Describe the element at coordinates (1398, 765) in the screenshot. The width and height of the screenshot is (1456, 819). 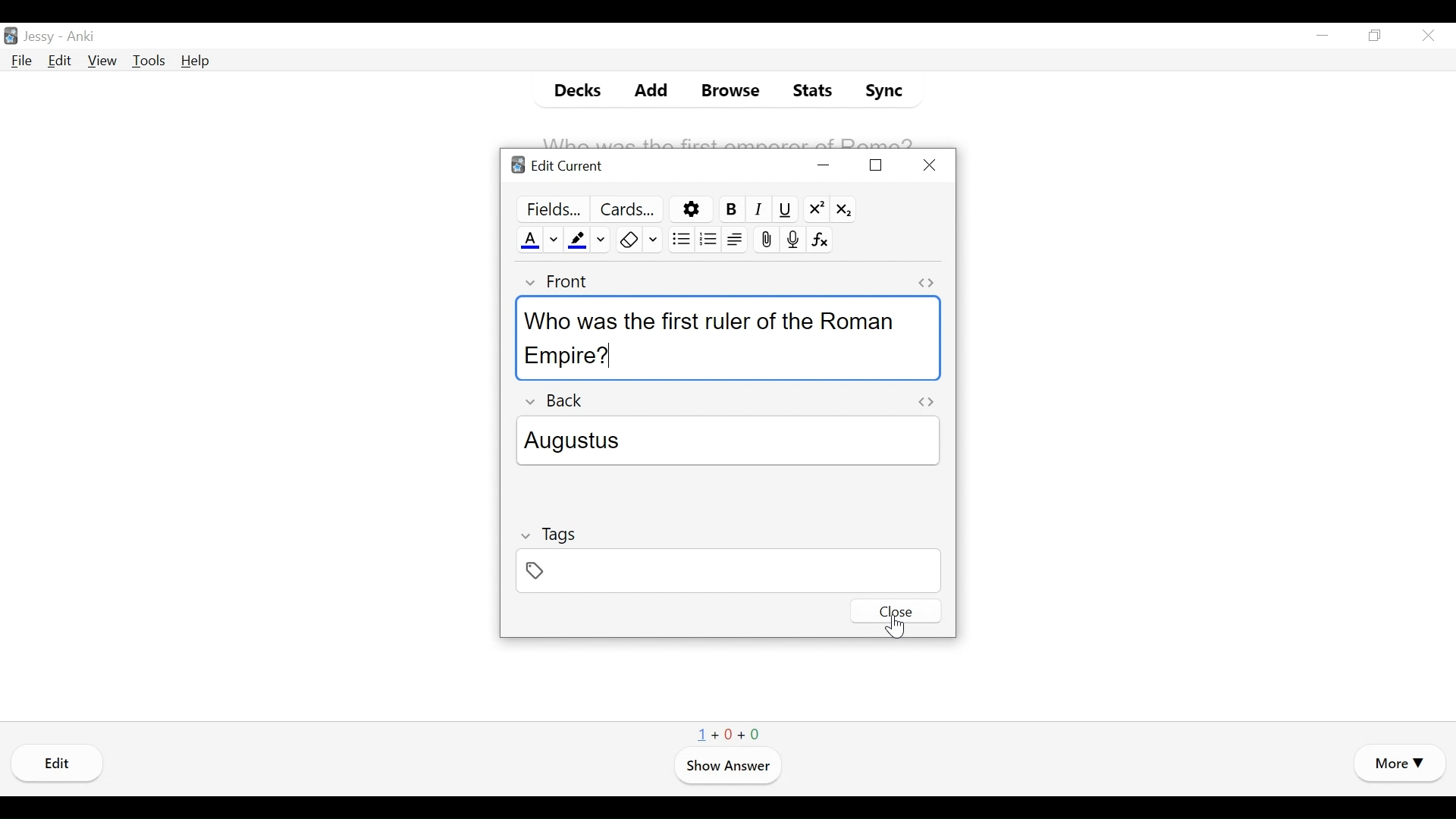
I see `More Options` at that location.